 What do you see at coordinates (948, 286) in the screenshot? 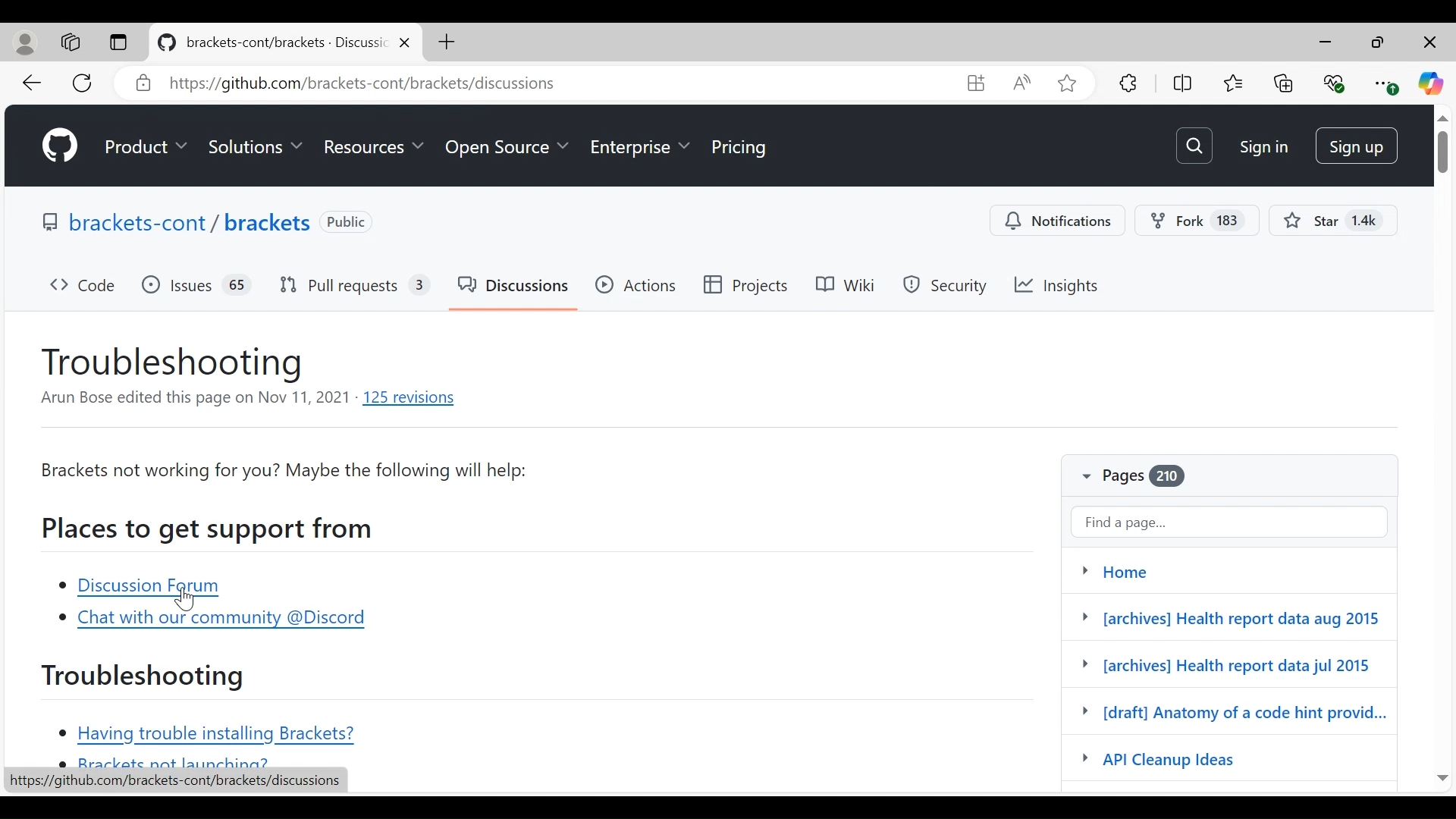
I see `Security` at bounding box center [948, 286].